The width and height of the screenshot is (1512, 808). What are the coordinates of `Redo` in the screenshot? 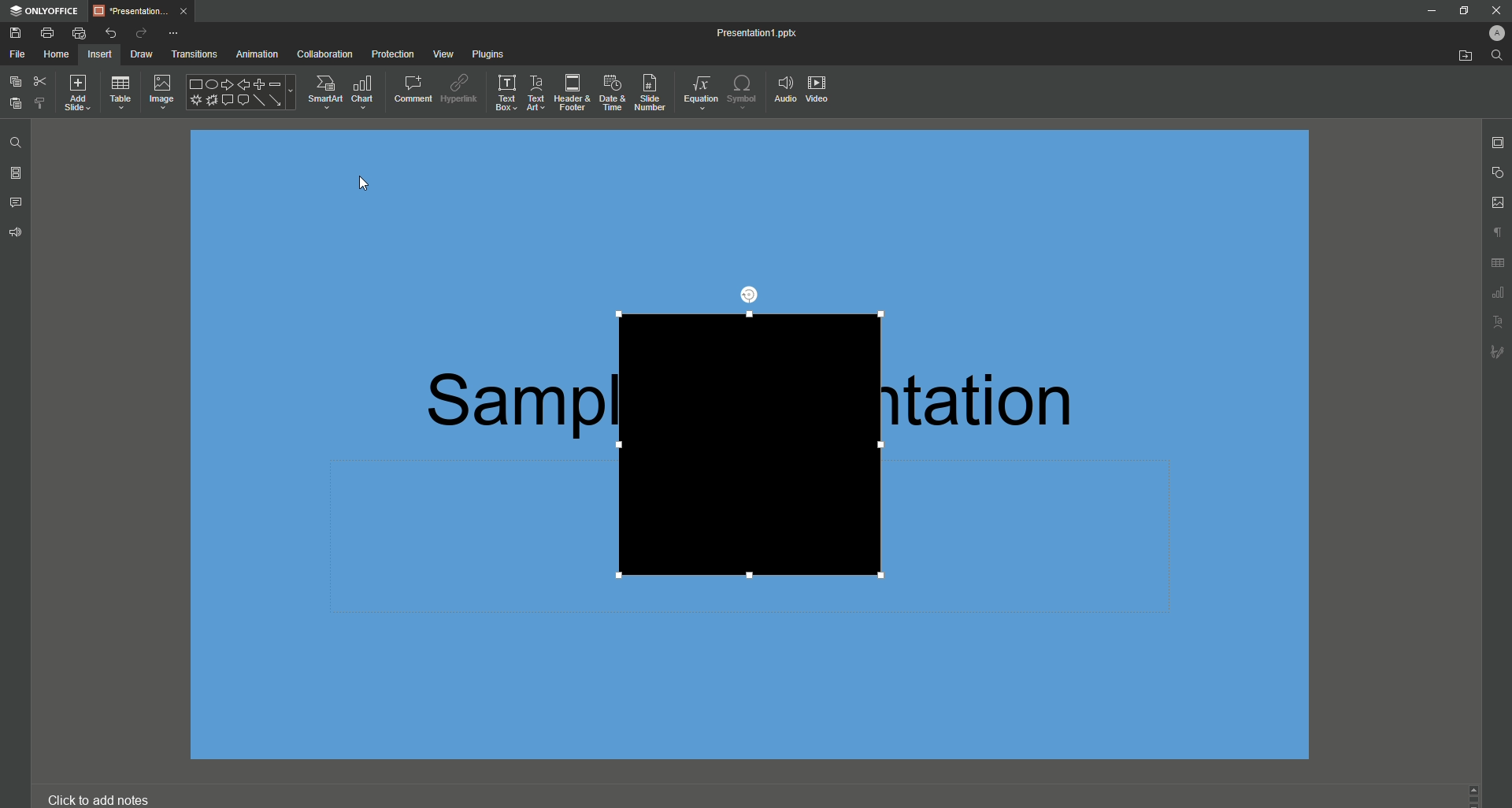 It's located at (139, 32).